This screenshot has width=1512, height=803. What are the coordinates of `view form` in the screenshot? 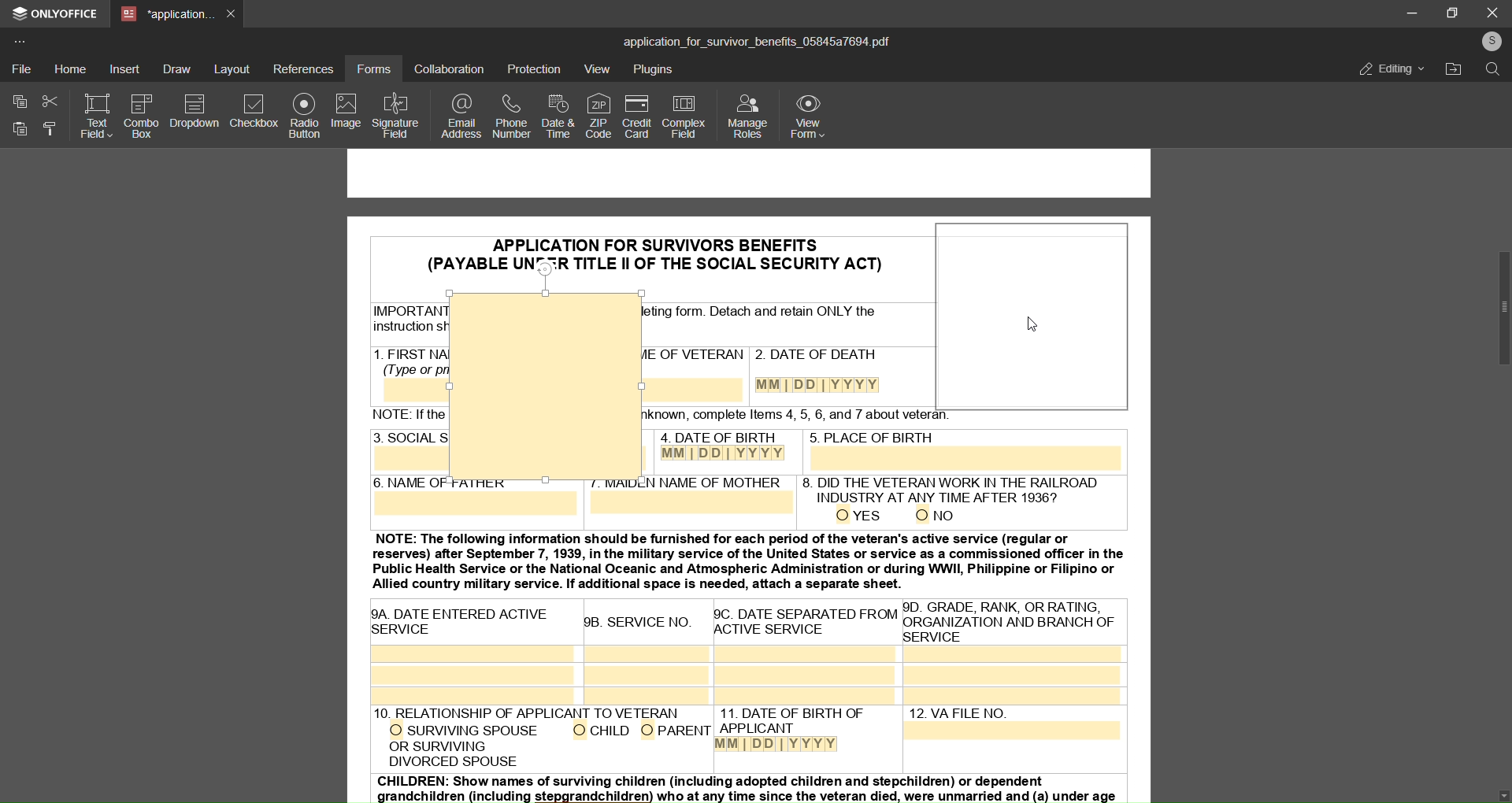 It's located at (811, 116).